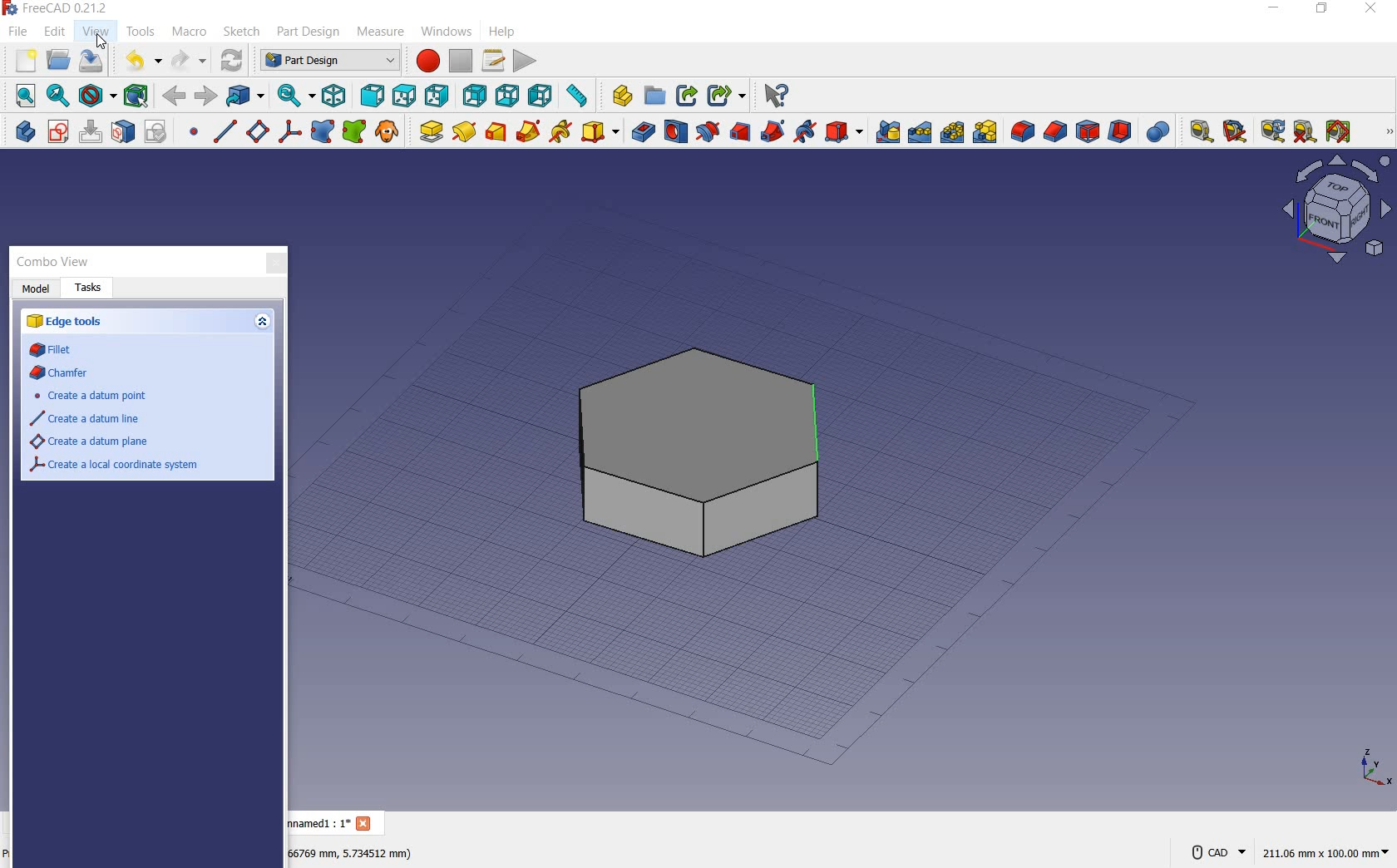 This screenshot has width=1397, height=868. Describe the element at coordinates (953, 131) in the screenshot. I see `polar pattern` at that location.